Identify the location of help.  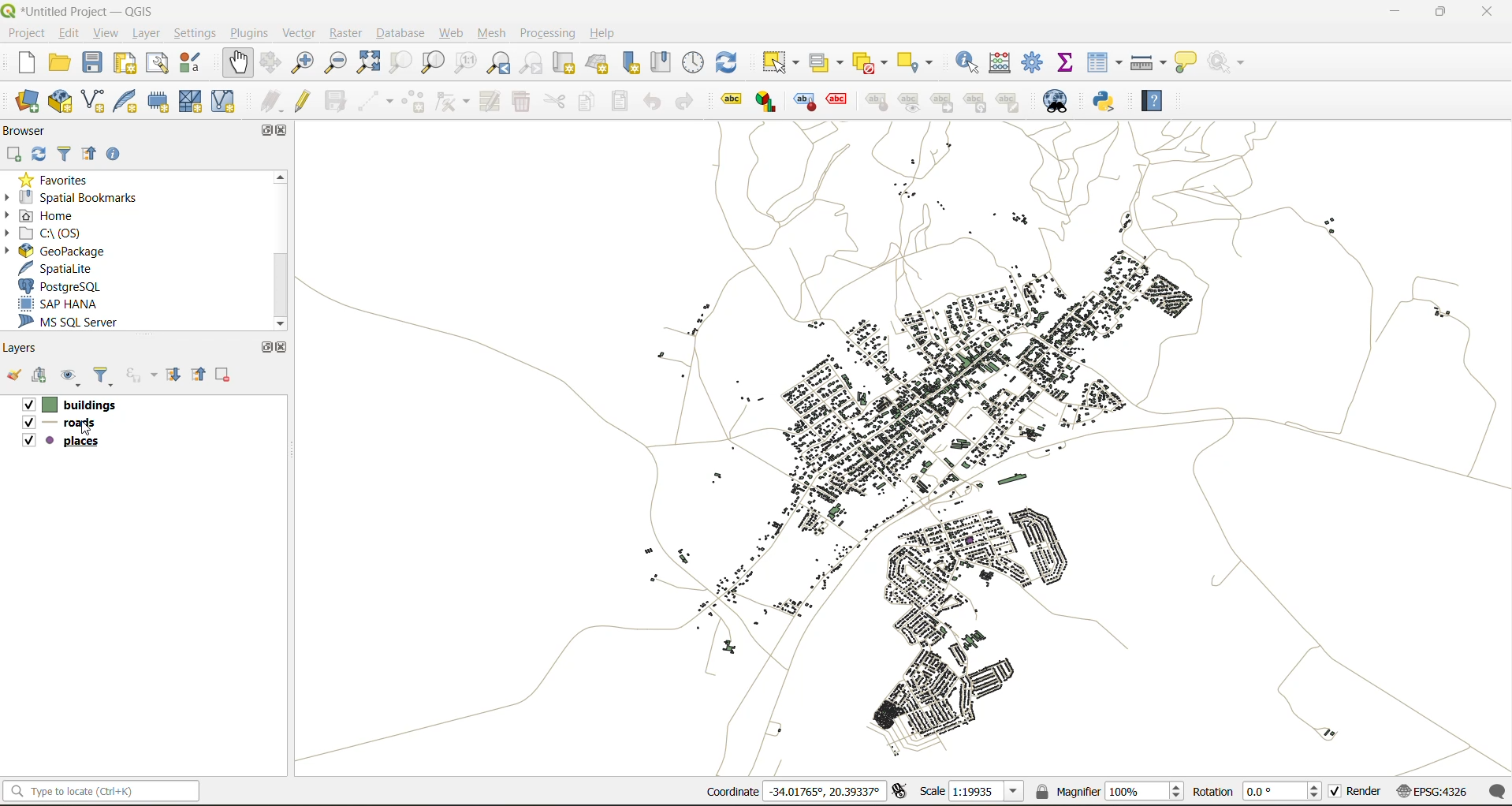
(603, 35).